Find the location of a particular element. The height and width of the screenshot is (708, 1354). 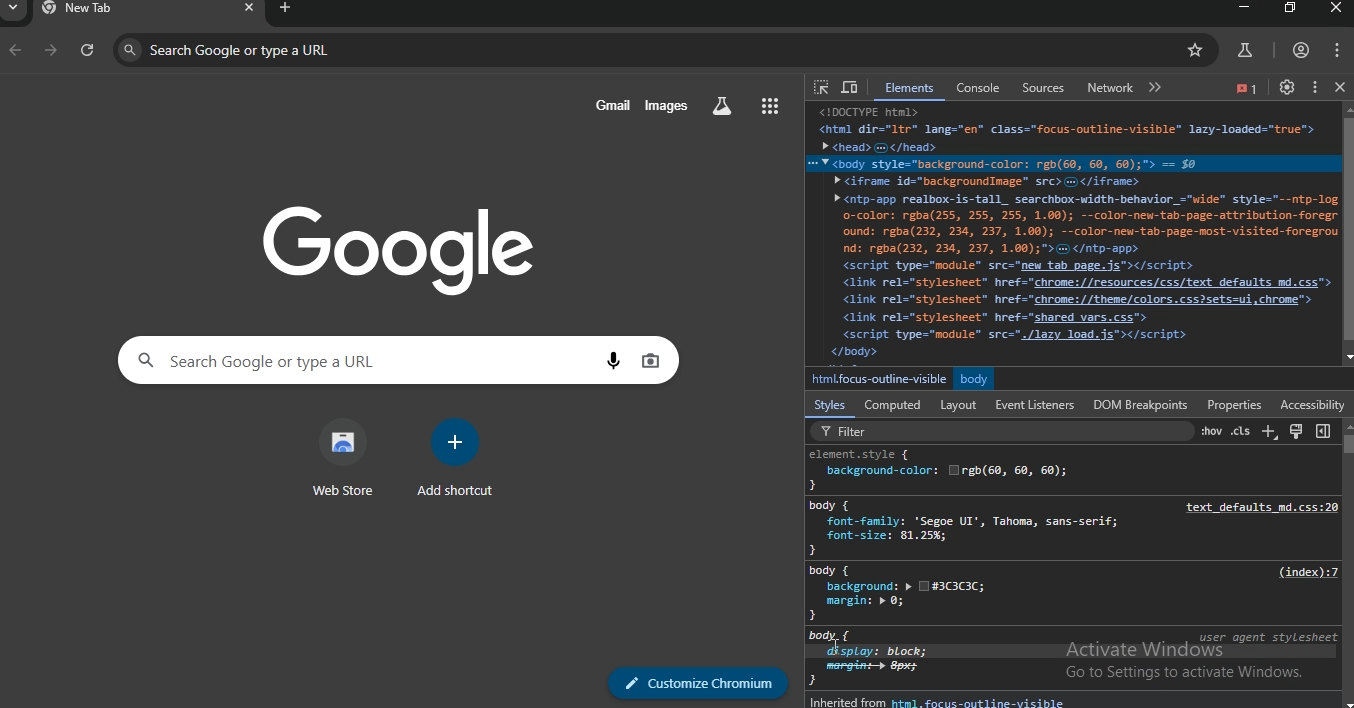

Properties is located at coordinates (1235, 404).